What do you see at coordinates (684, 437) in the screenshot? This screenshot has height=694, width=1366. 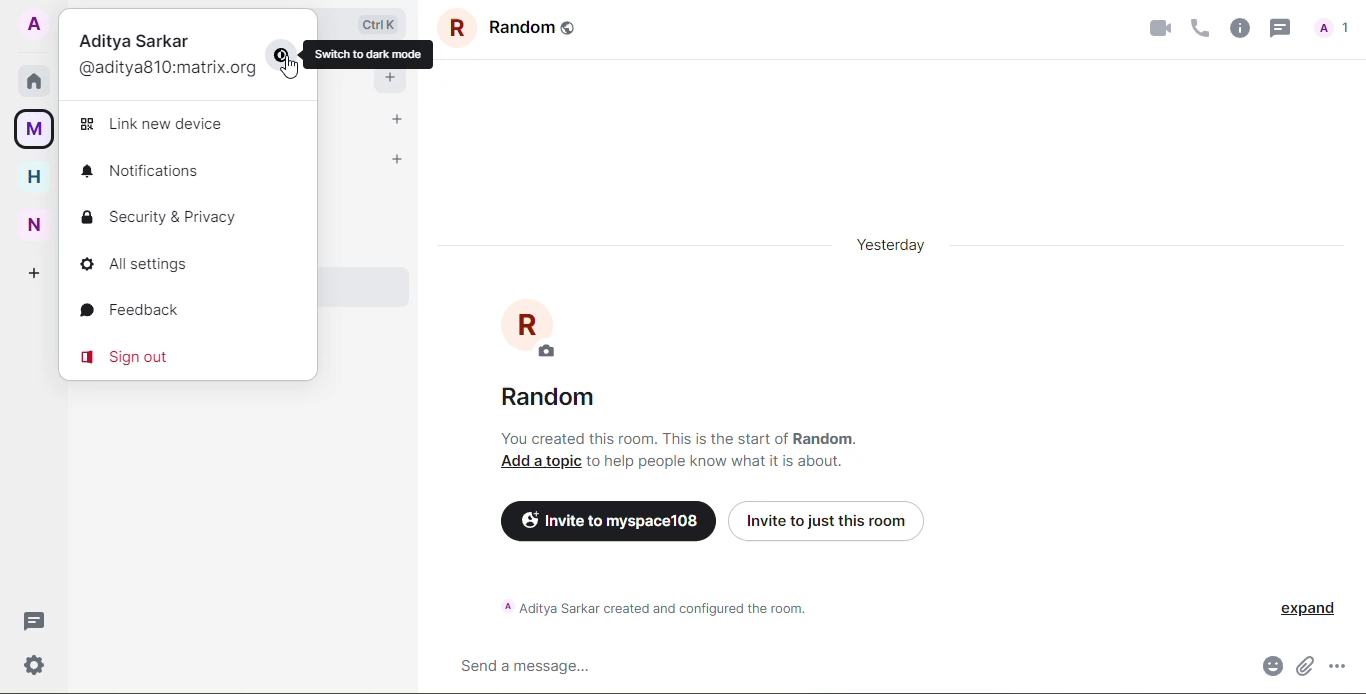 I see `You created this room. This is the start of Random.` at bounding box center [684, 437].